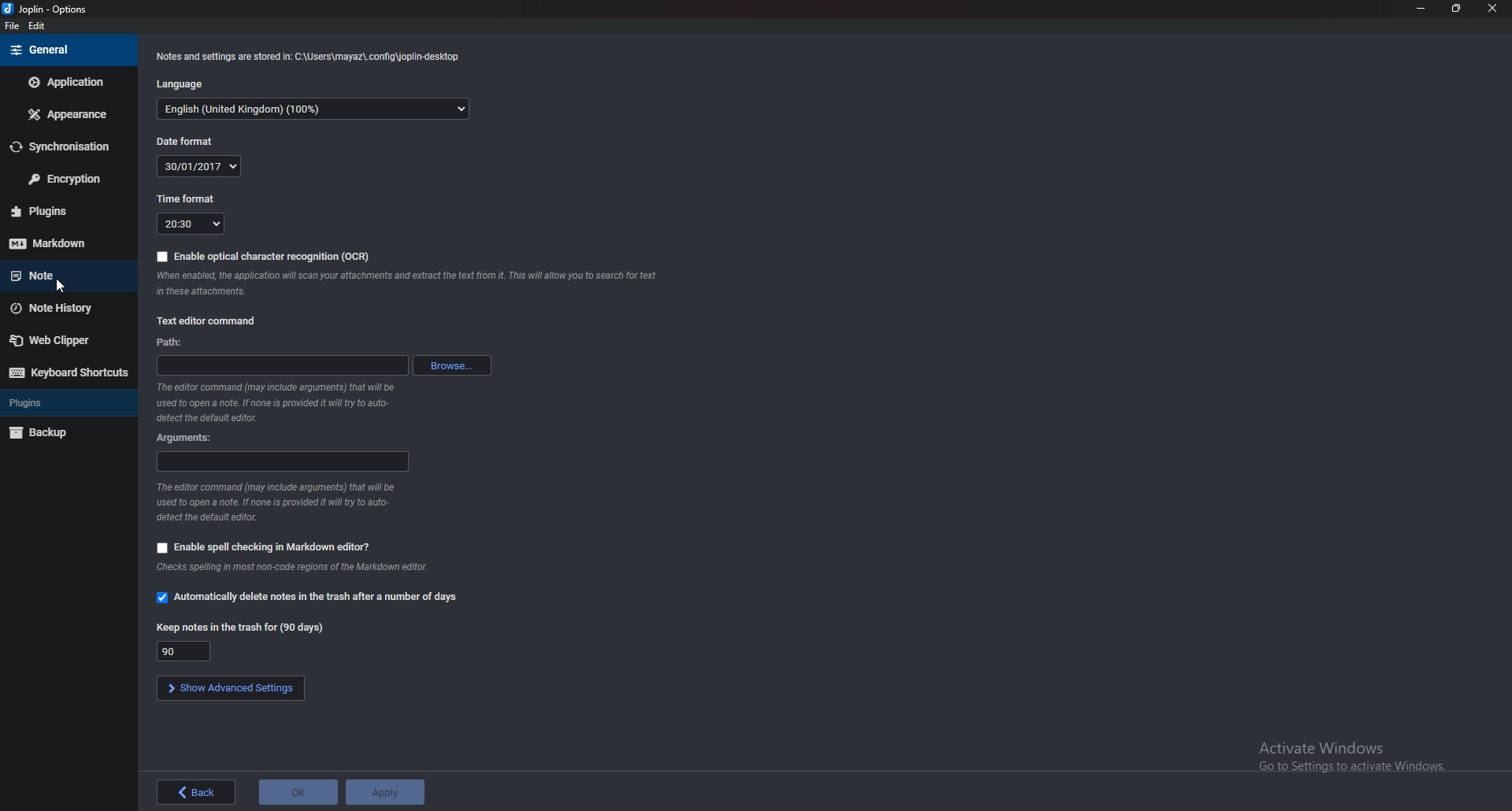 The height and width of the screenshot is (811, 1512). I want to click on Keyboard shortcuts, so click(67, 372).